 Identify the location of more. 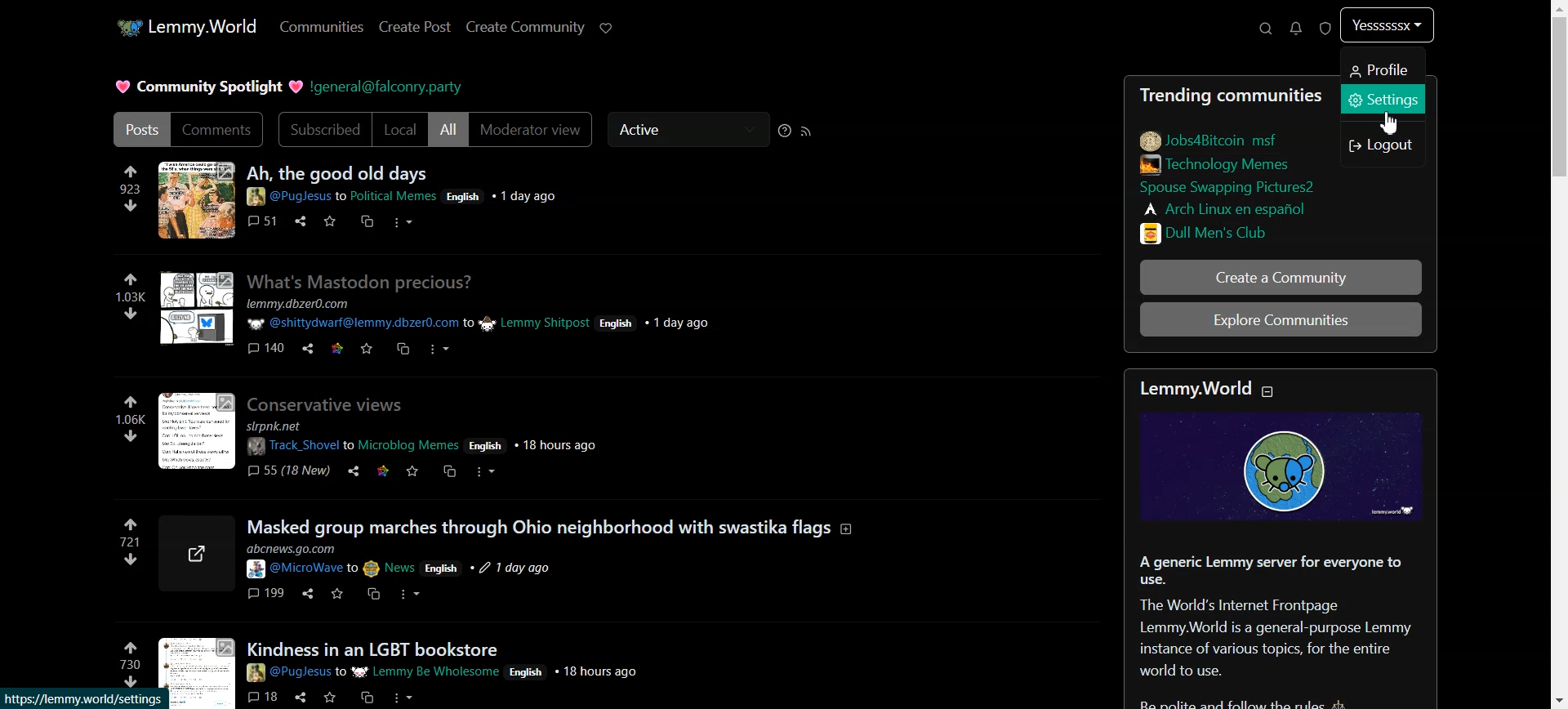
(438, 350).